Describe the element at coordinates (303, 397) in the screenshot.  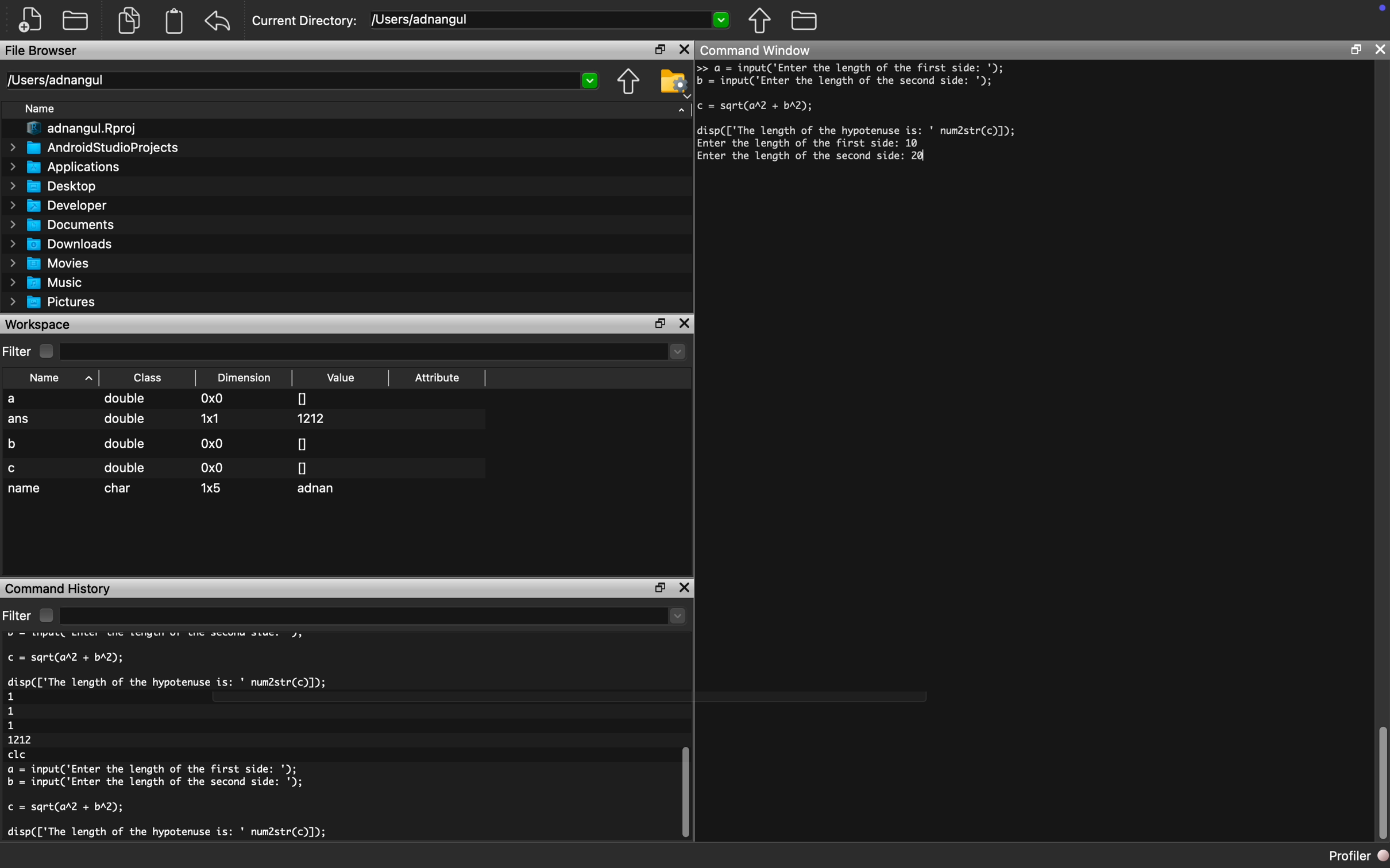
I see `0` at that location.